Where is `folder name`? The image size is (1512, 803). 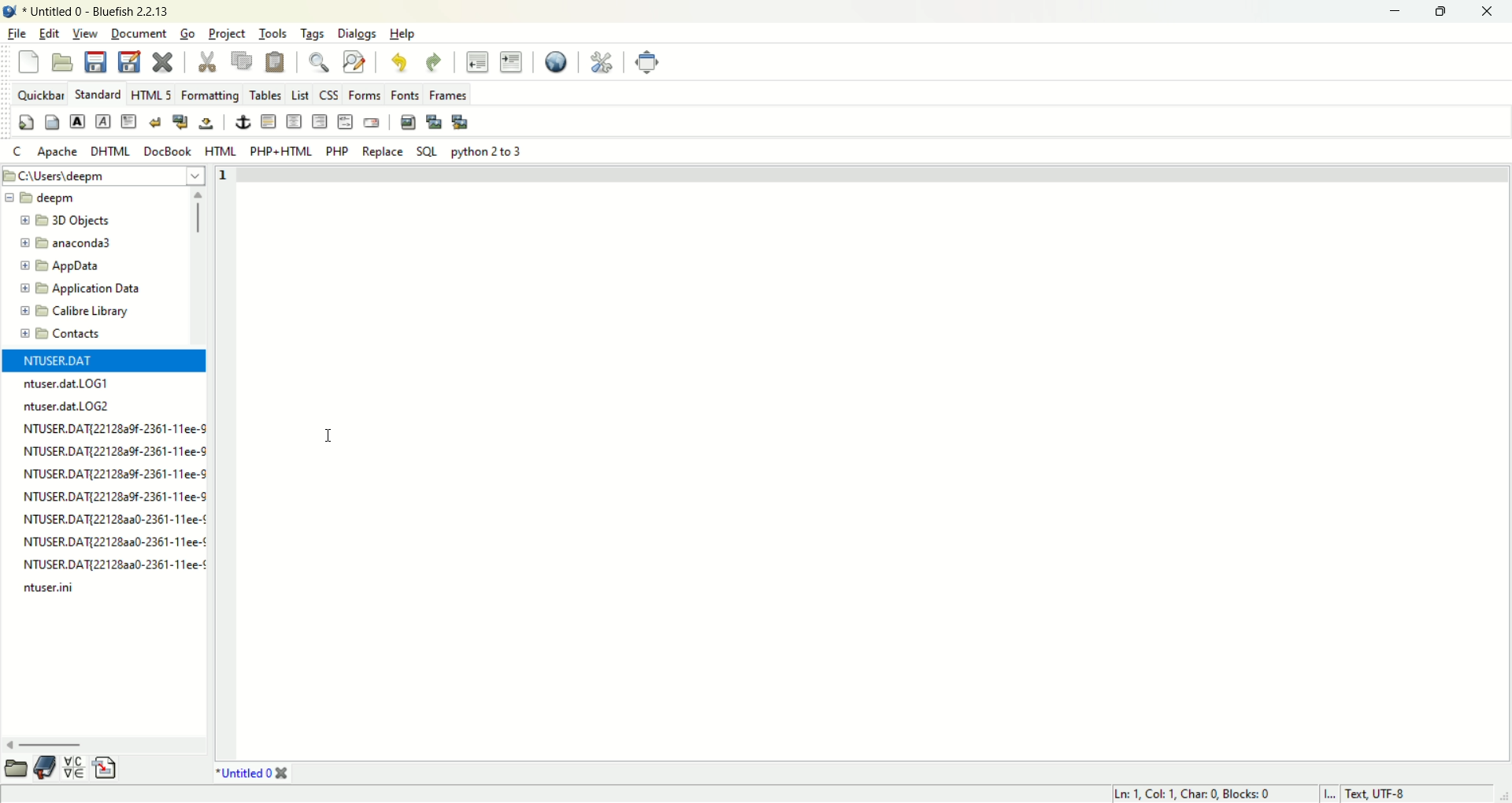 folder name is located at coordinates (49, 200).